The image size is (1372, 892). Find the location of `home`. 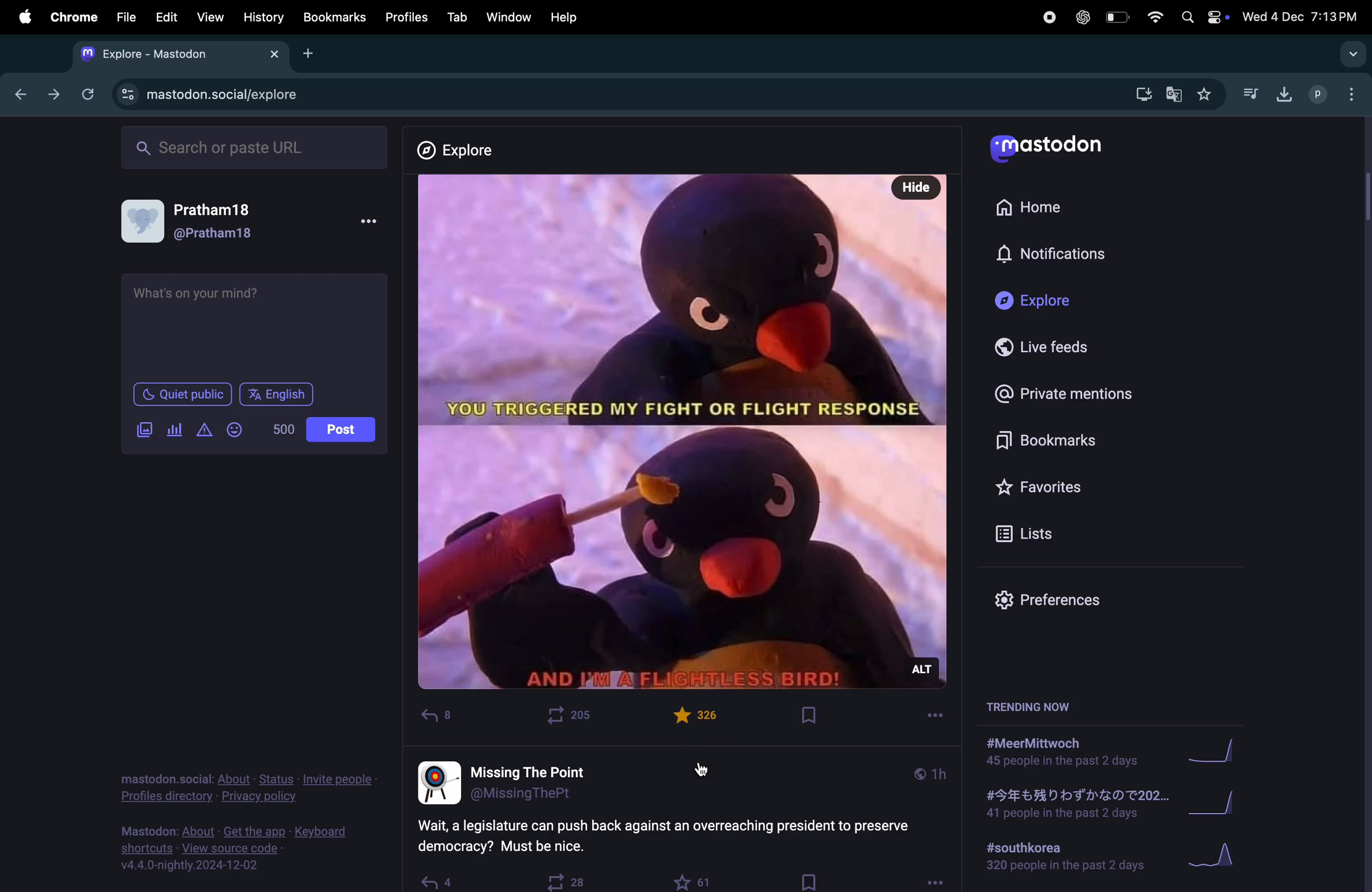

home is located at coordinates (1030, 207).